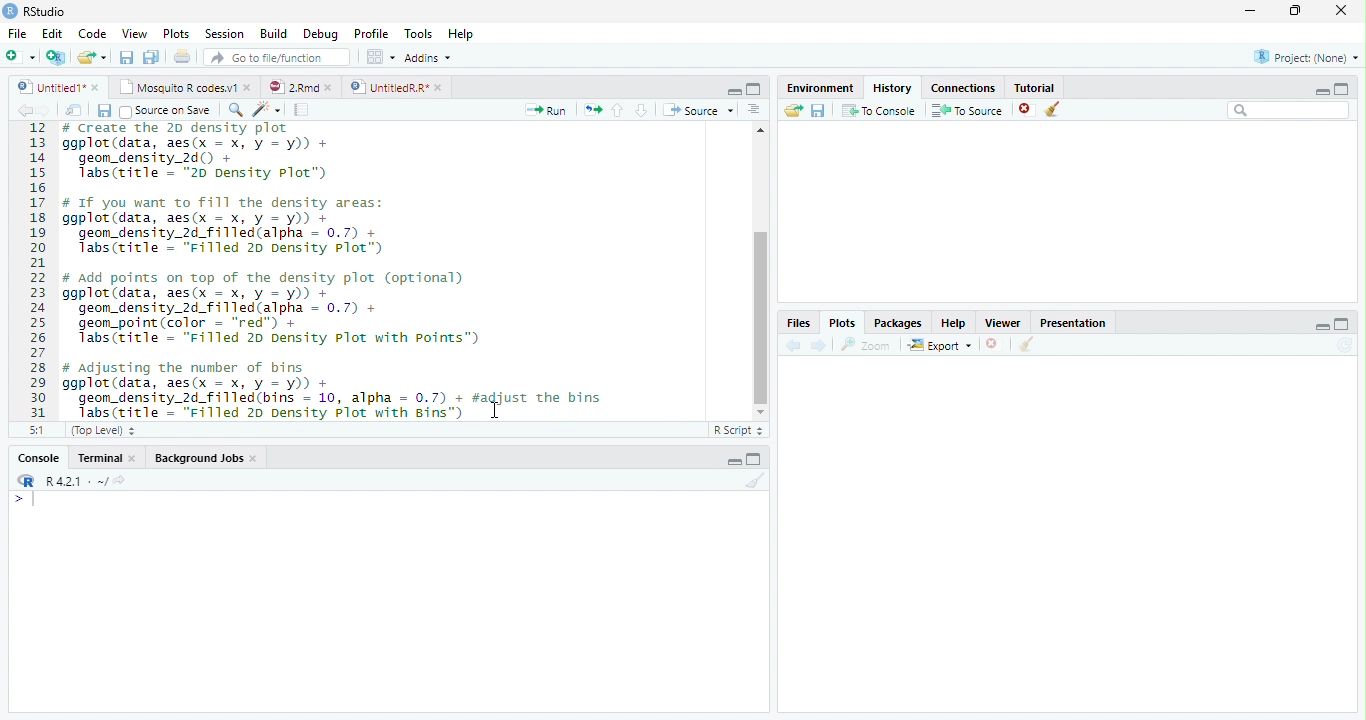 The height and width of the screenshot is (720, 1366). Describe the element at coordinates (964, 89) in the screenshot. I see `Connections` at that location.